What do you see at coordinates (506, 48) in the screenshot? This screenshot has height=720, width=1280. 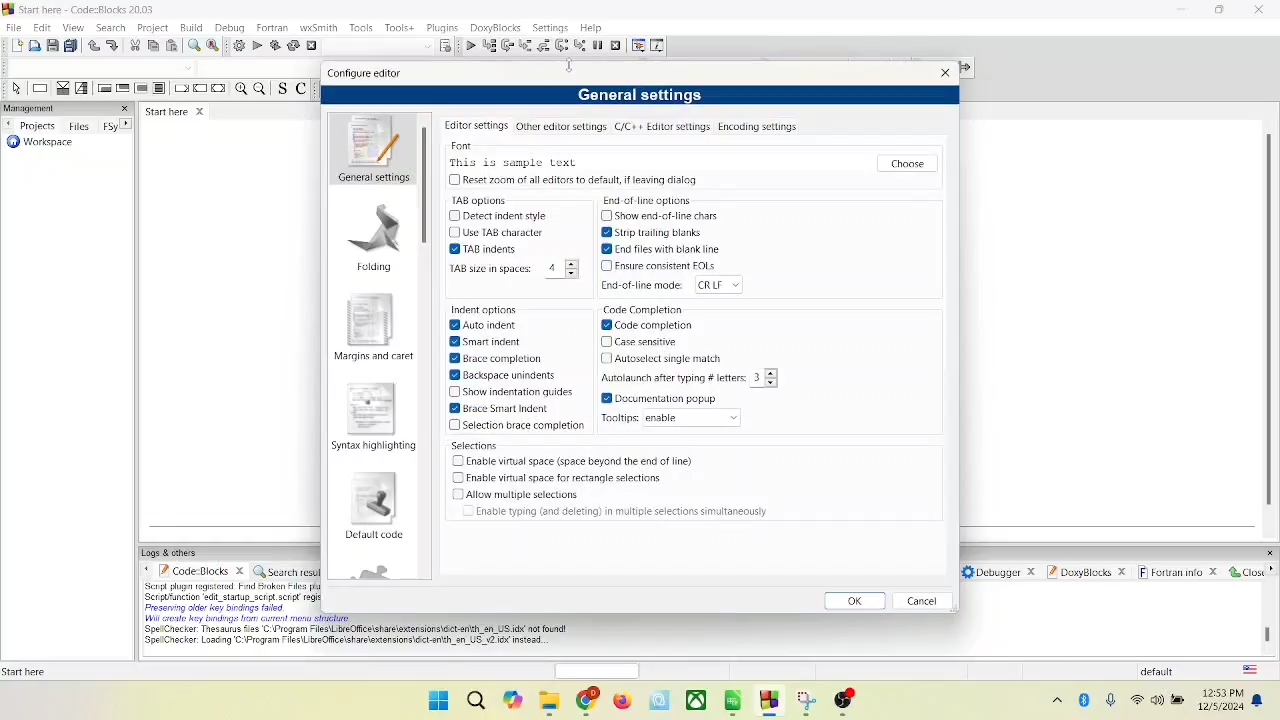 I see `next line` at bounding box center [506, 48].